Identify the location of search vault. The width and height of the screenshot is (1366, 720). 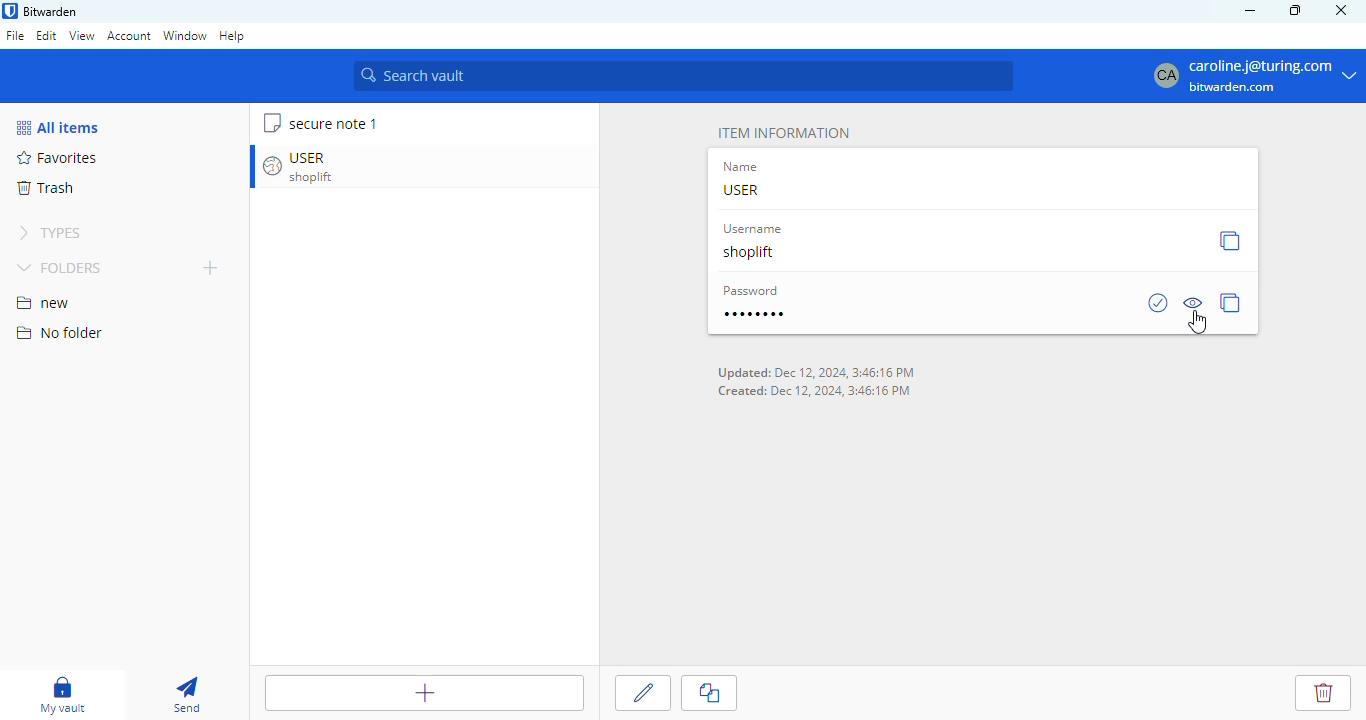
(685, 75).